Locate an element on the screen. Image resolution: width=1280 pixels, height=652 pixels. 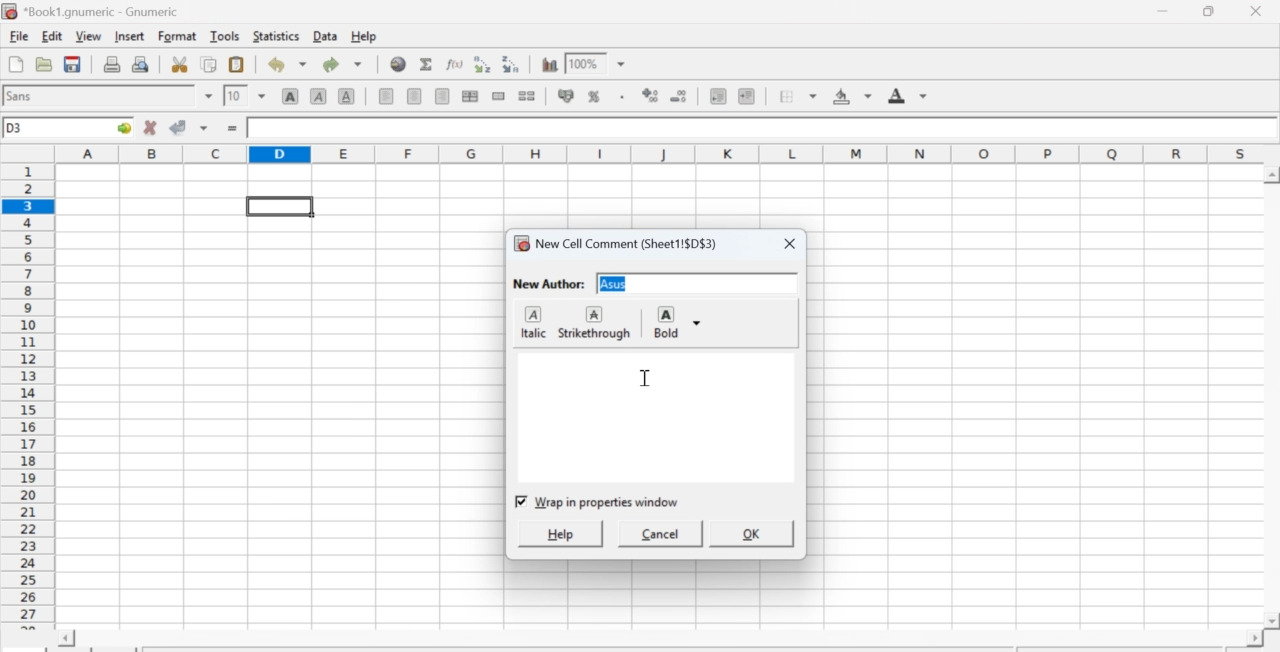
Decrease number of decimals is located at coordinates (678, 96).